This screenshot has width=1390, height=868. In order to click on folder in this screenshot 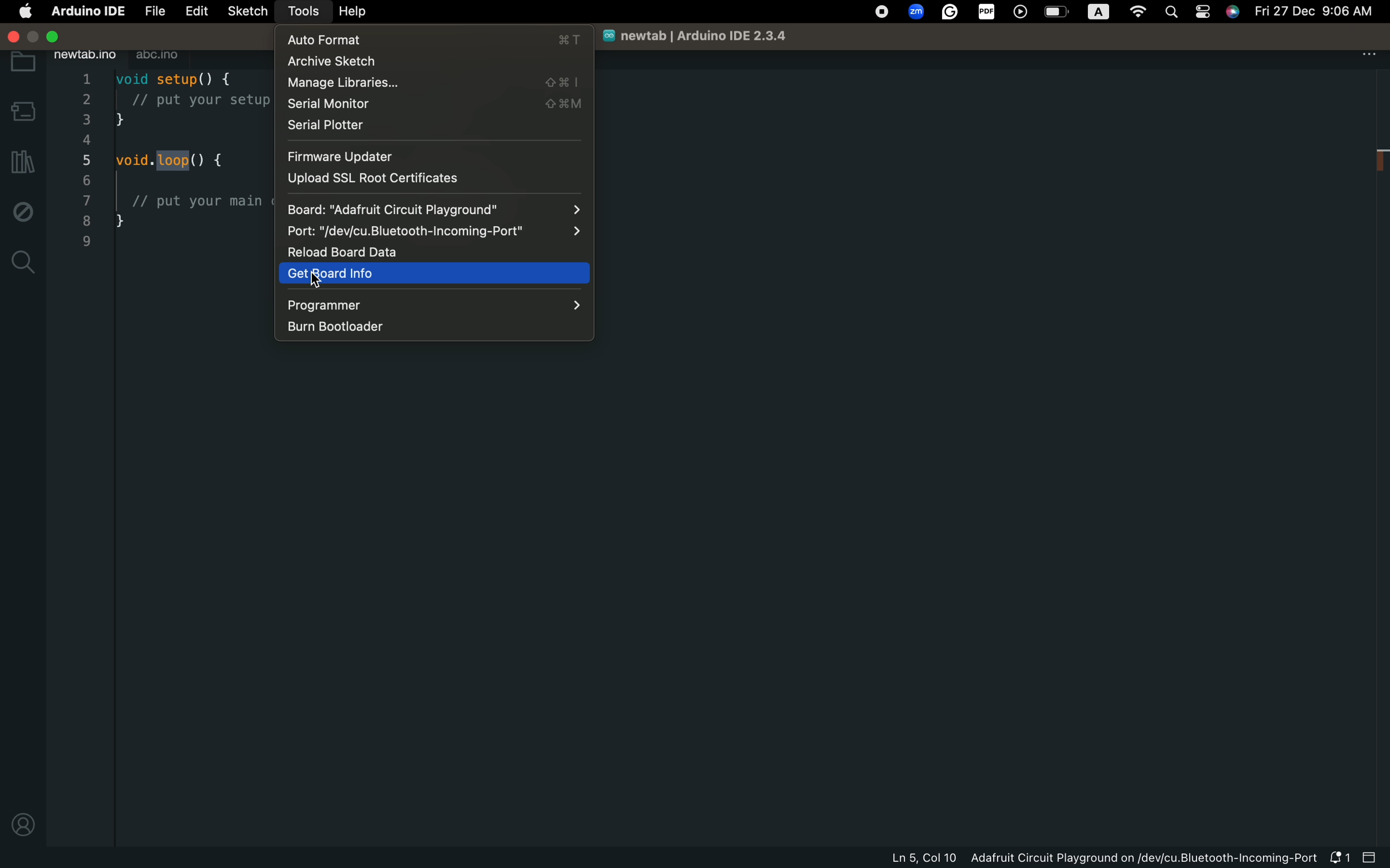, I will do `click(21, 67)`.